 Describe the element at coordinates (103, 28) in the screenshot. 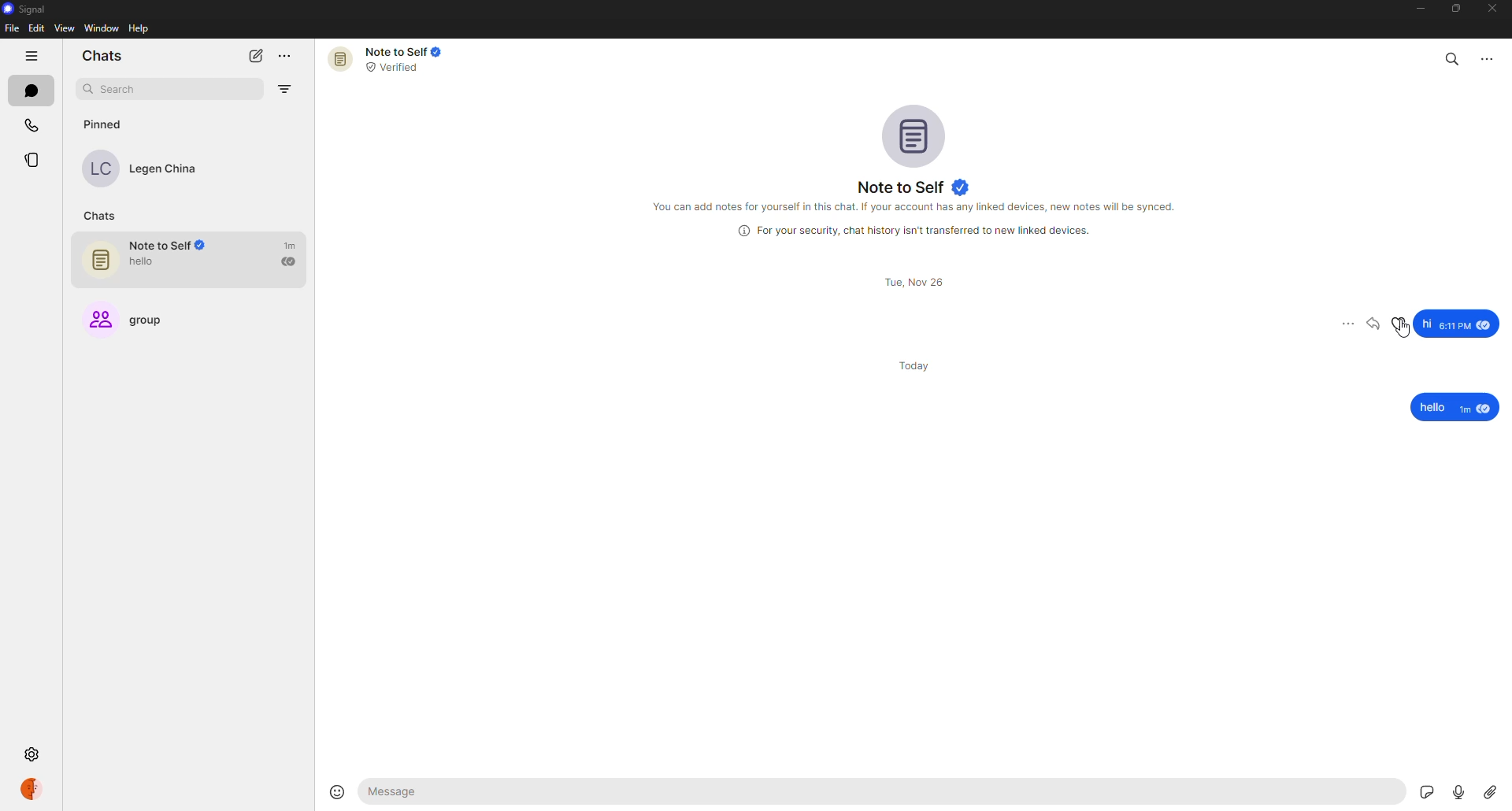

I see `window` at that location.